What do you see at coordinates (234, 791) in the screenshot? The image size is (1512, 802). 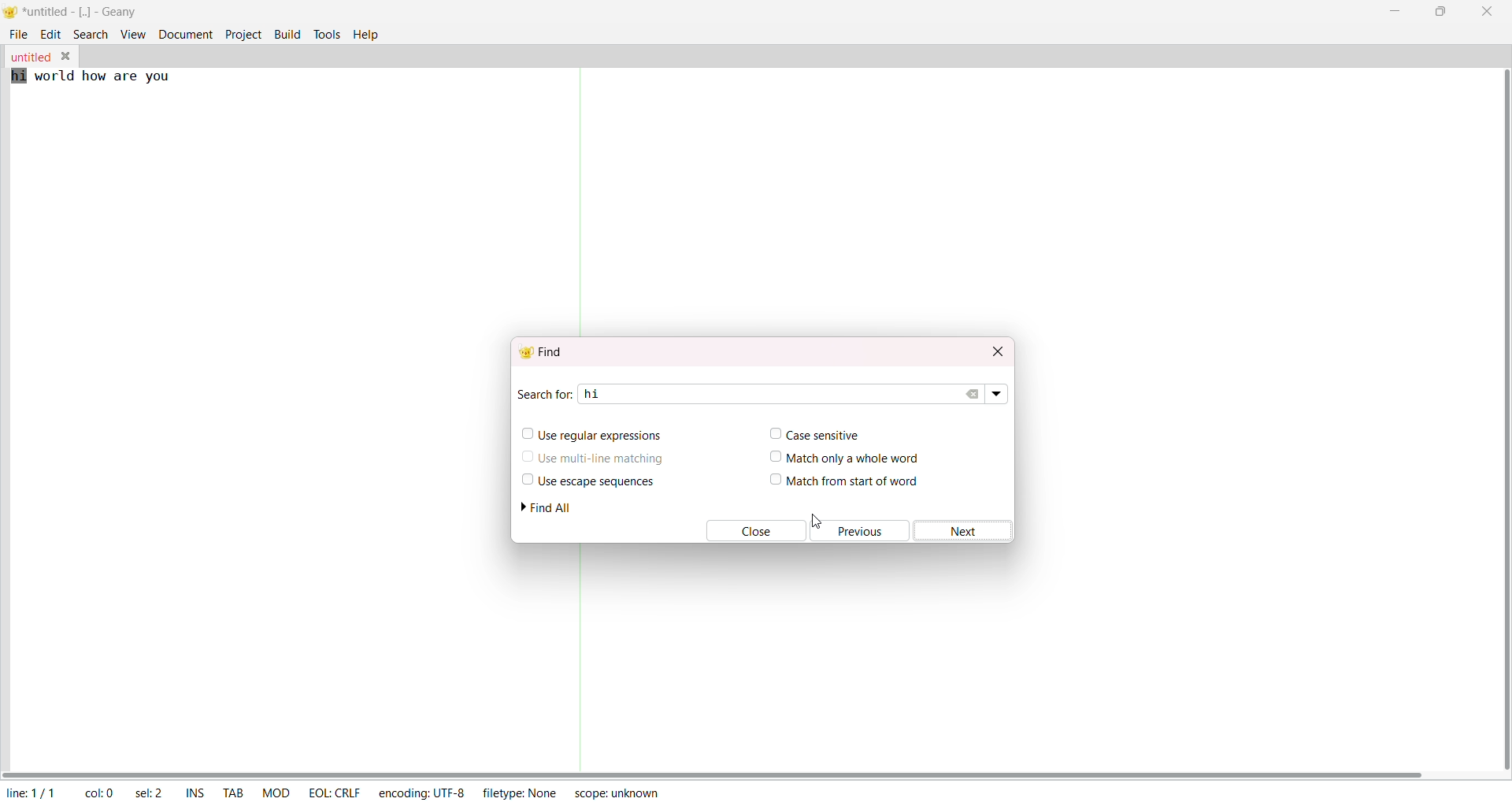 I see `tab` at bounding box center [234, 791].